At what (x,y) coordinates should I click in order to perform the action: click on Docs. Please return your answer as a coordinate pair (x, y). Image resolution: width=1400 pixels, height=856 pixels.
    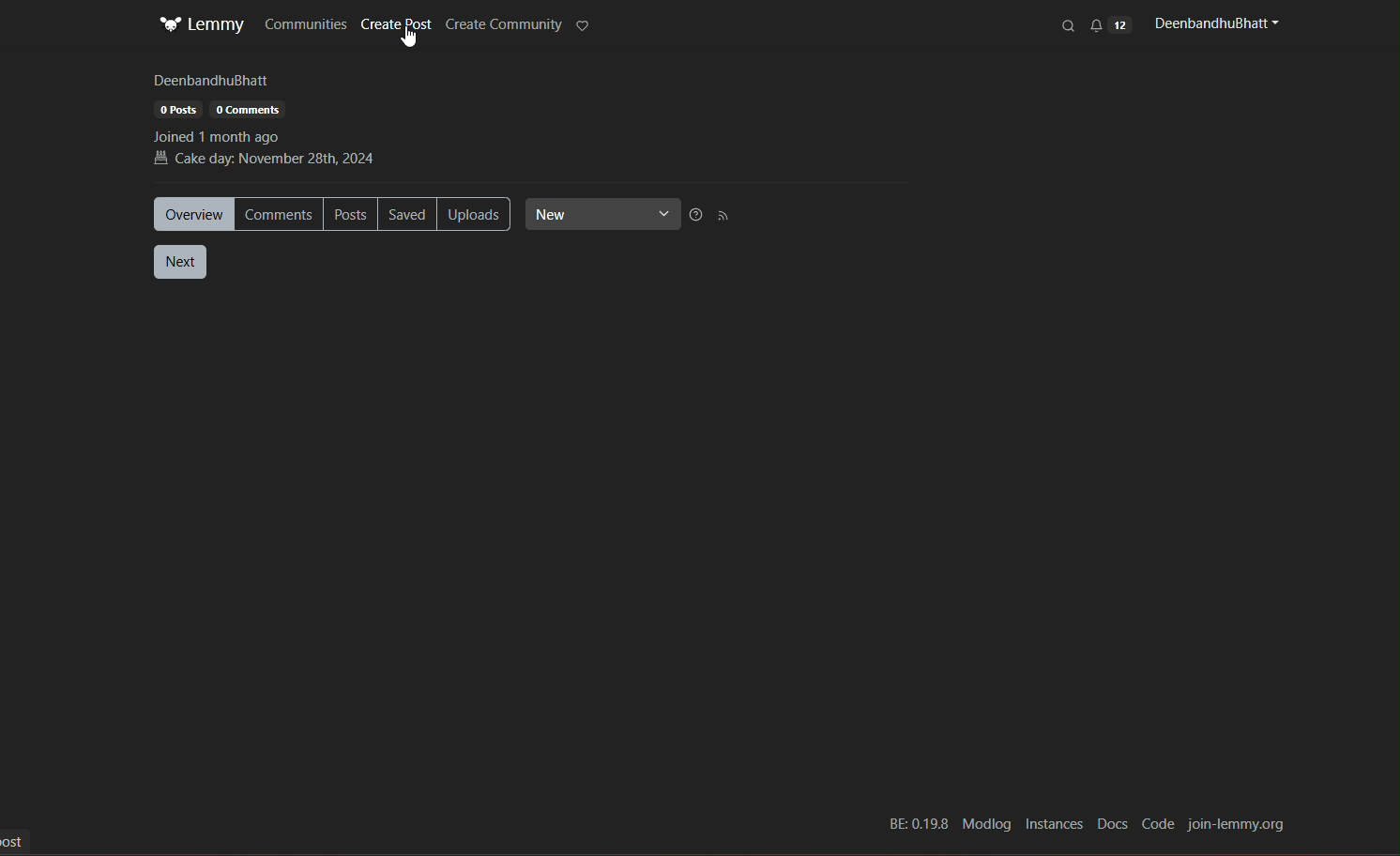
    Looking at the image, I should click on (1110, 823).